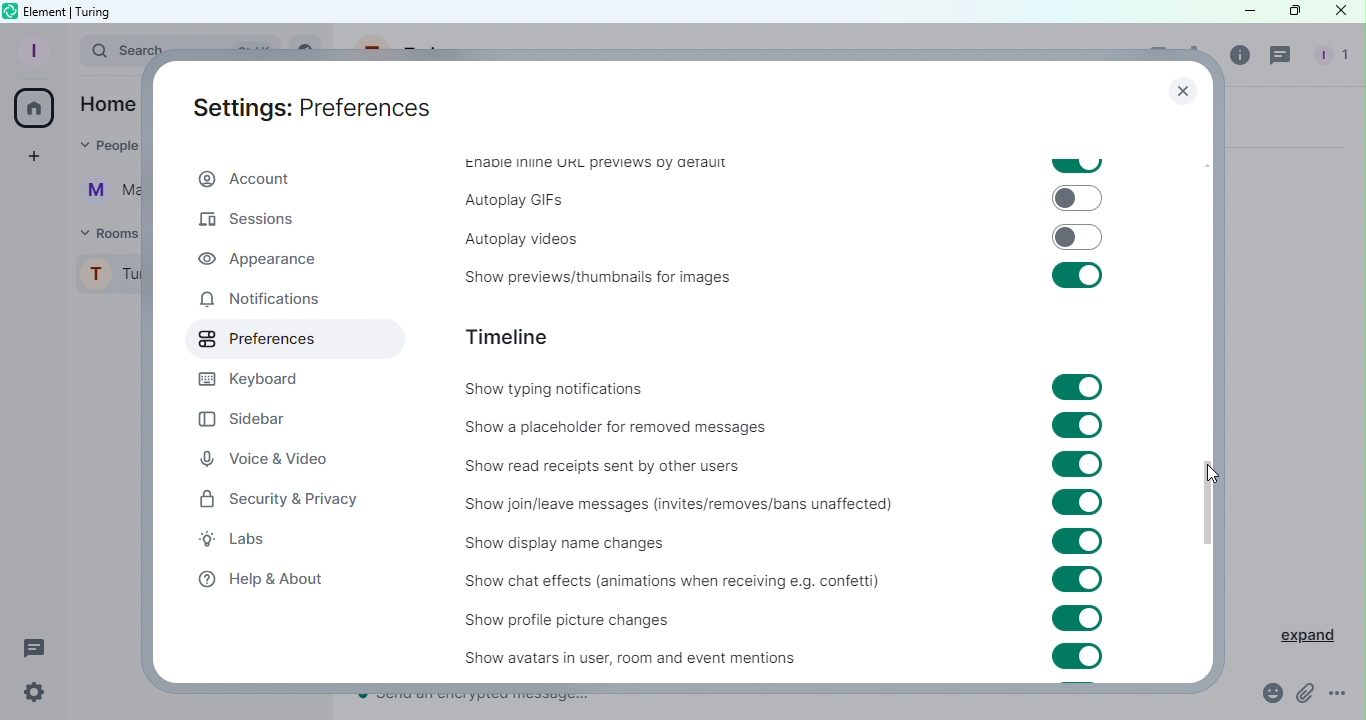 The height and width of the screenshot is (720, 1366). I want to click on Turing, so click(109, 279).